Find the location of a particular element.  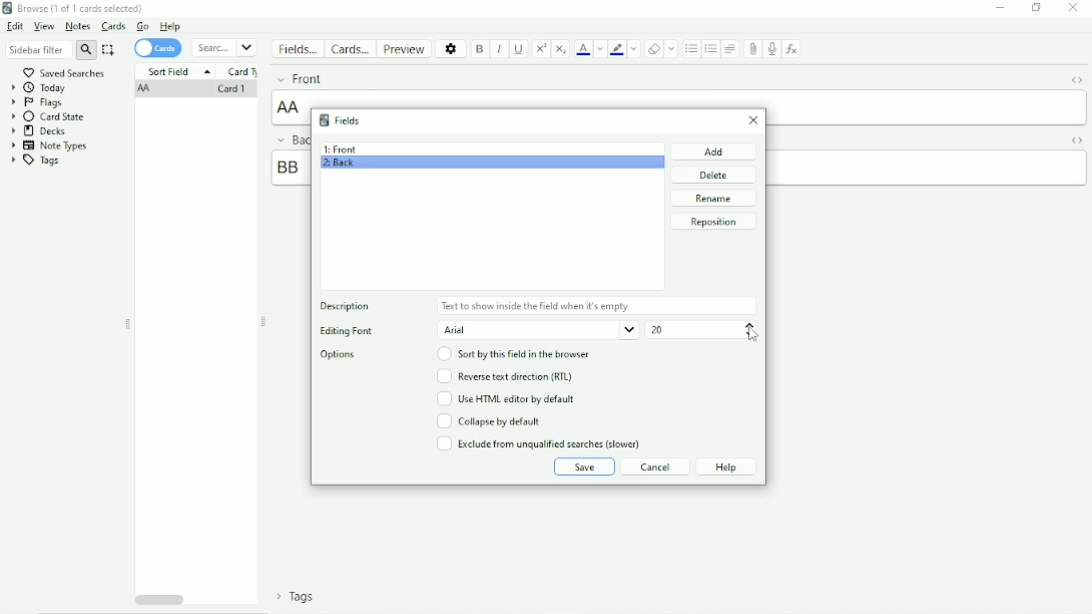

Underline is located at coordinates (519, 49).